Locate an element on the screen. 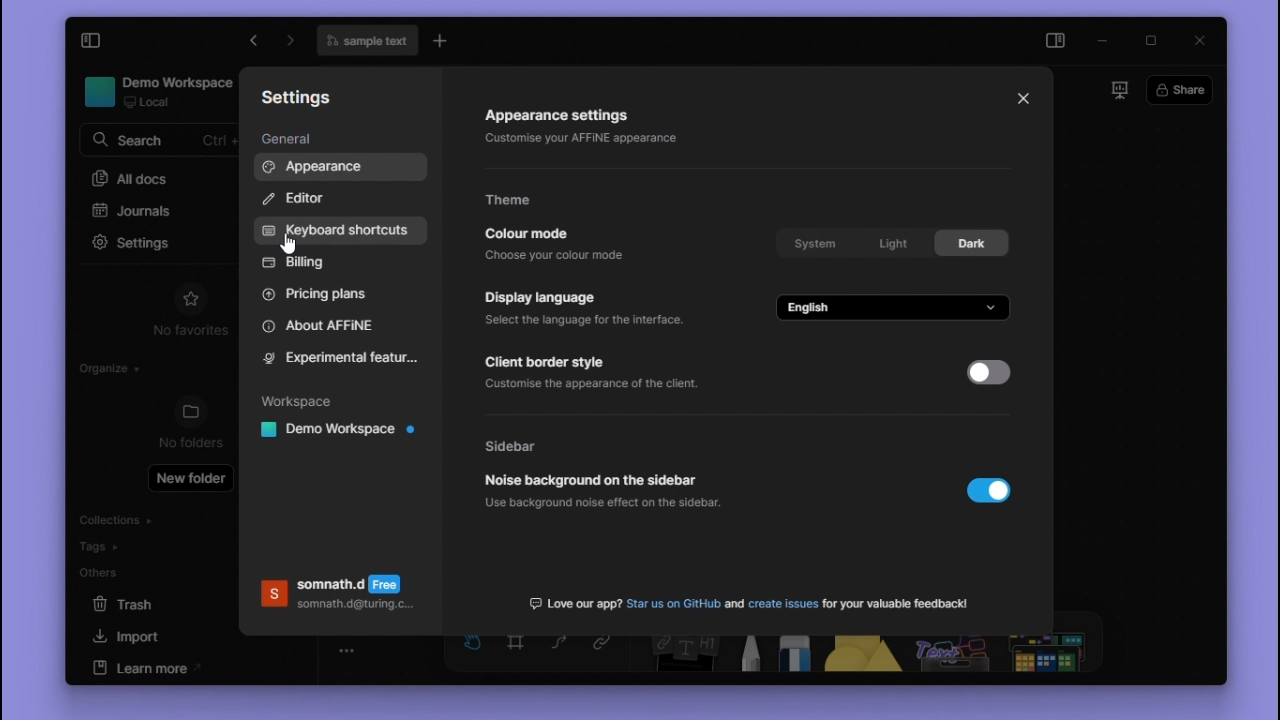 The width and height of the screenshot is (1280, 720). go backward is located at coordinates (293, 43).